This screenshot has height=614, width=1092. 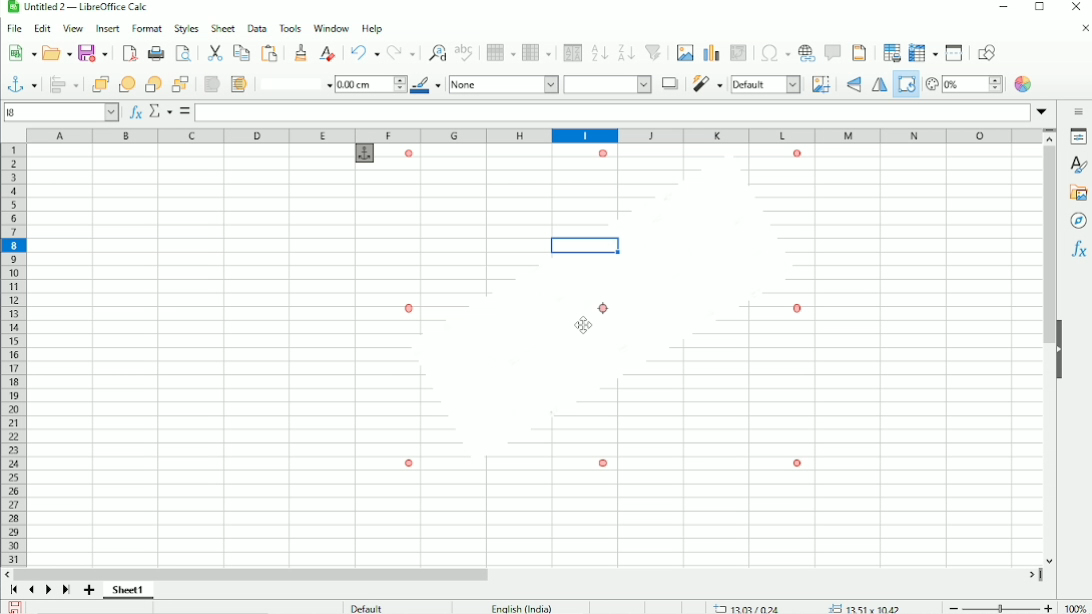 I want to click on Insert hyperlink, so click(x=806, y=53).